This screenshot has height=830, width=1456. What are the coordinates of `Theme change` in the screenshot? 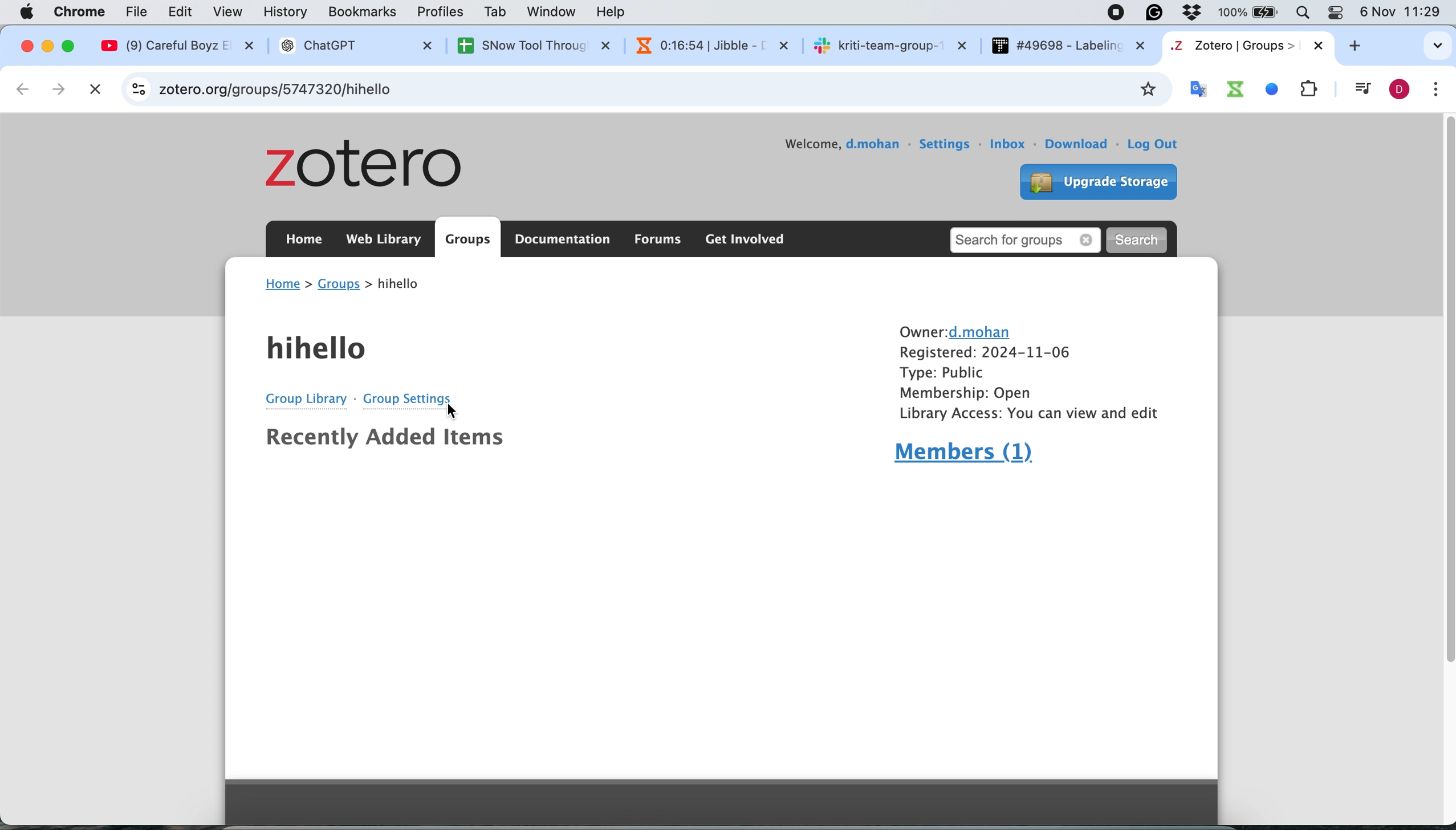 It's located at (1332, 11).